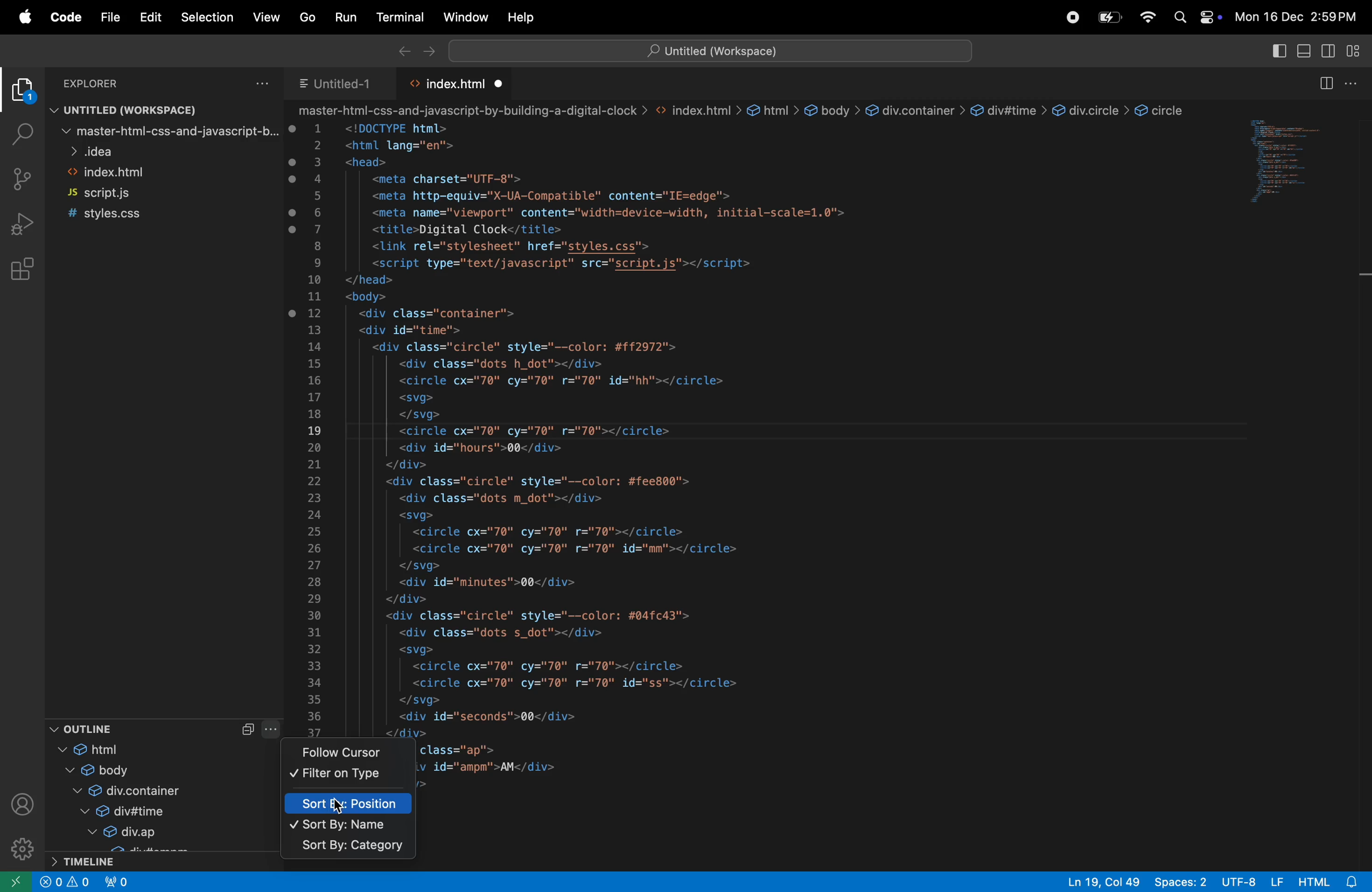 The height and width of the screenshot is (892, 1372). What do you see at coordinates (1324, 84) in the screenshot?
I see `split editor` at bounding box center [1324, 84].